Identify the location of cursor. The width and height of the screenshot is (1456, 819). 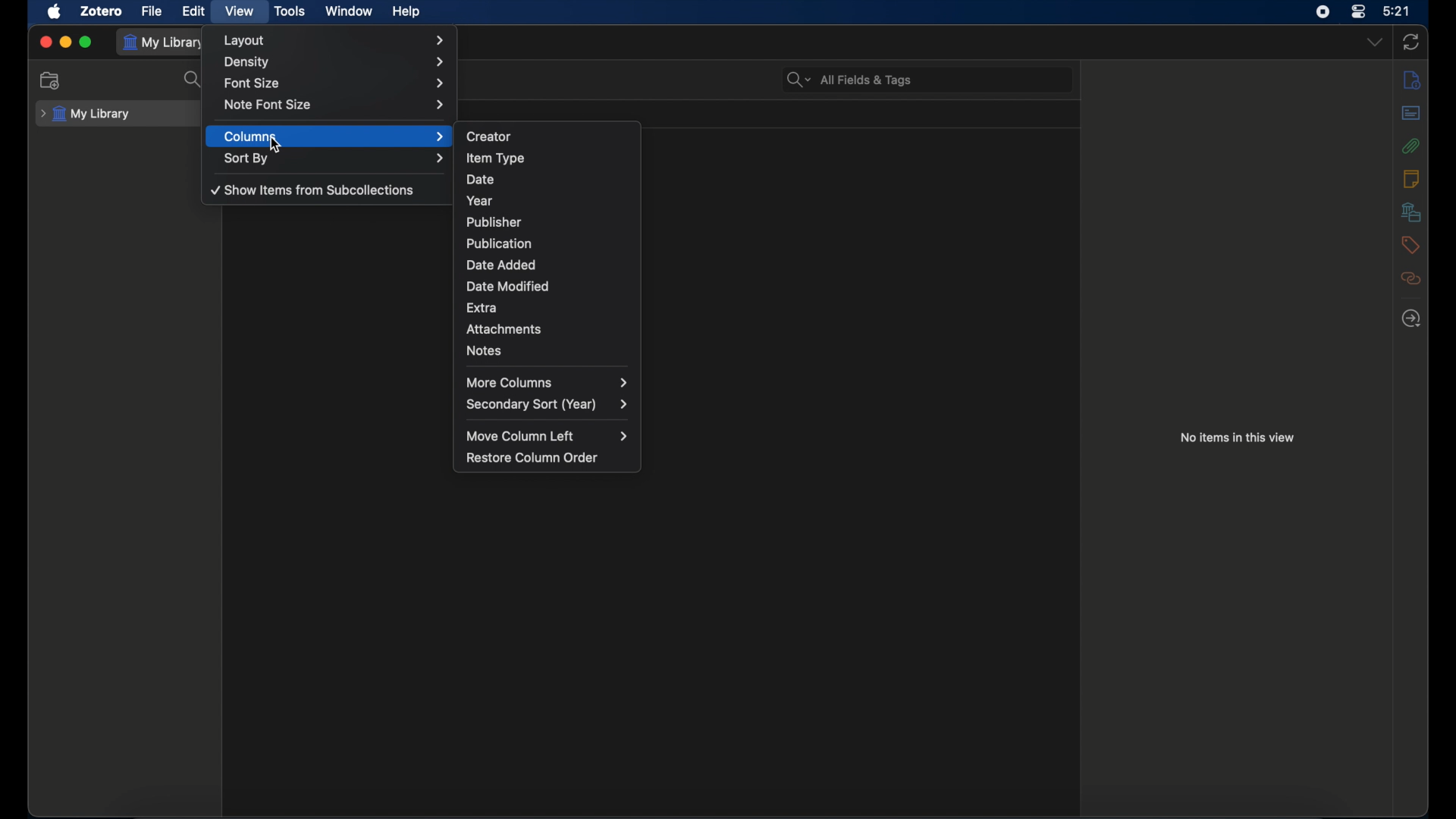
(277, 146).